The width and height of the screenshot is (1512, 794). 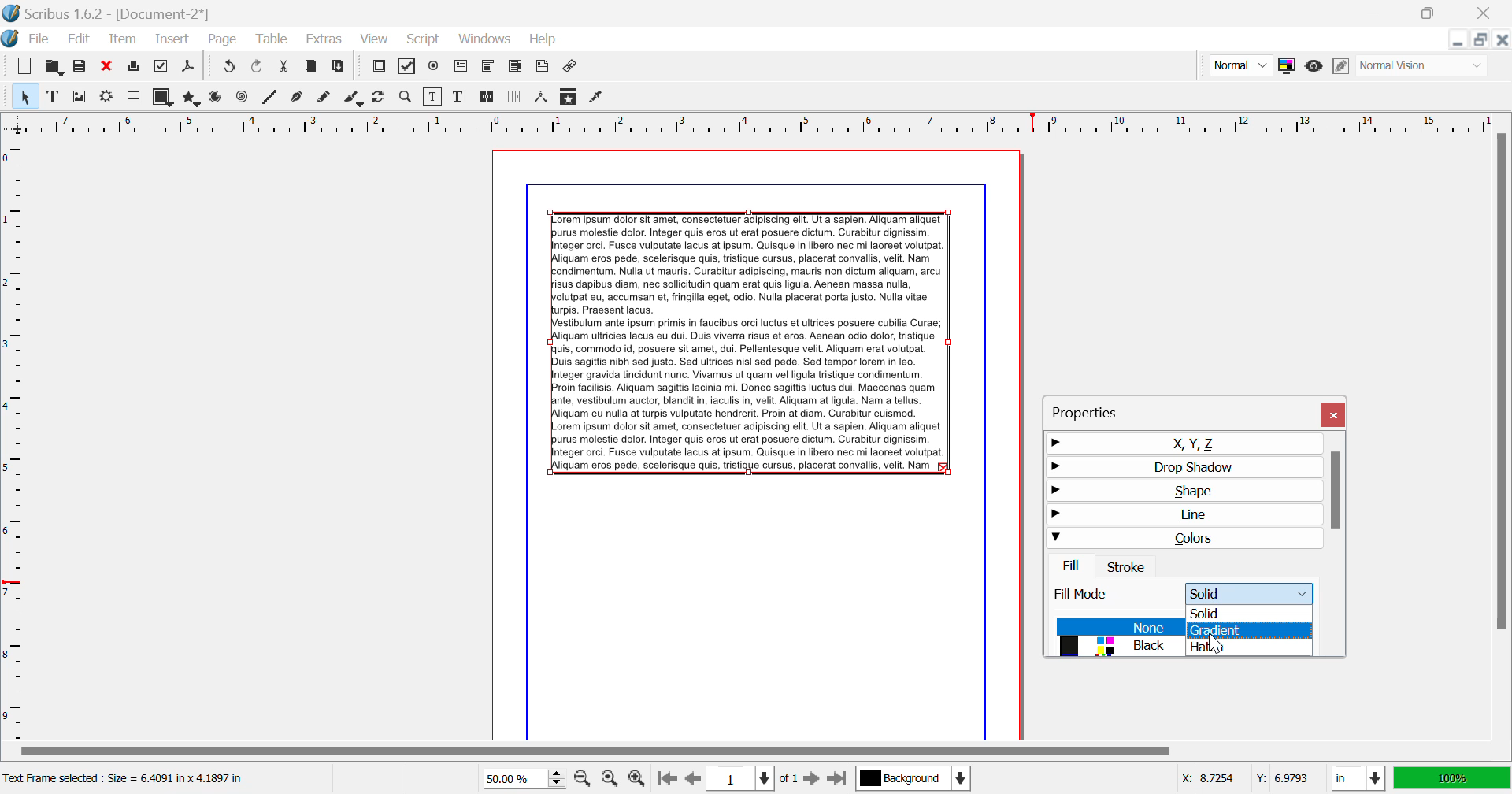 I want to click on Render Frame, so click(x=132, y=98).